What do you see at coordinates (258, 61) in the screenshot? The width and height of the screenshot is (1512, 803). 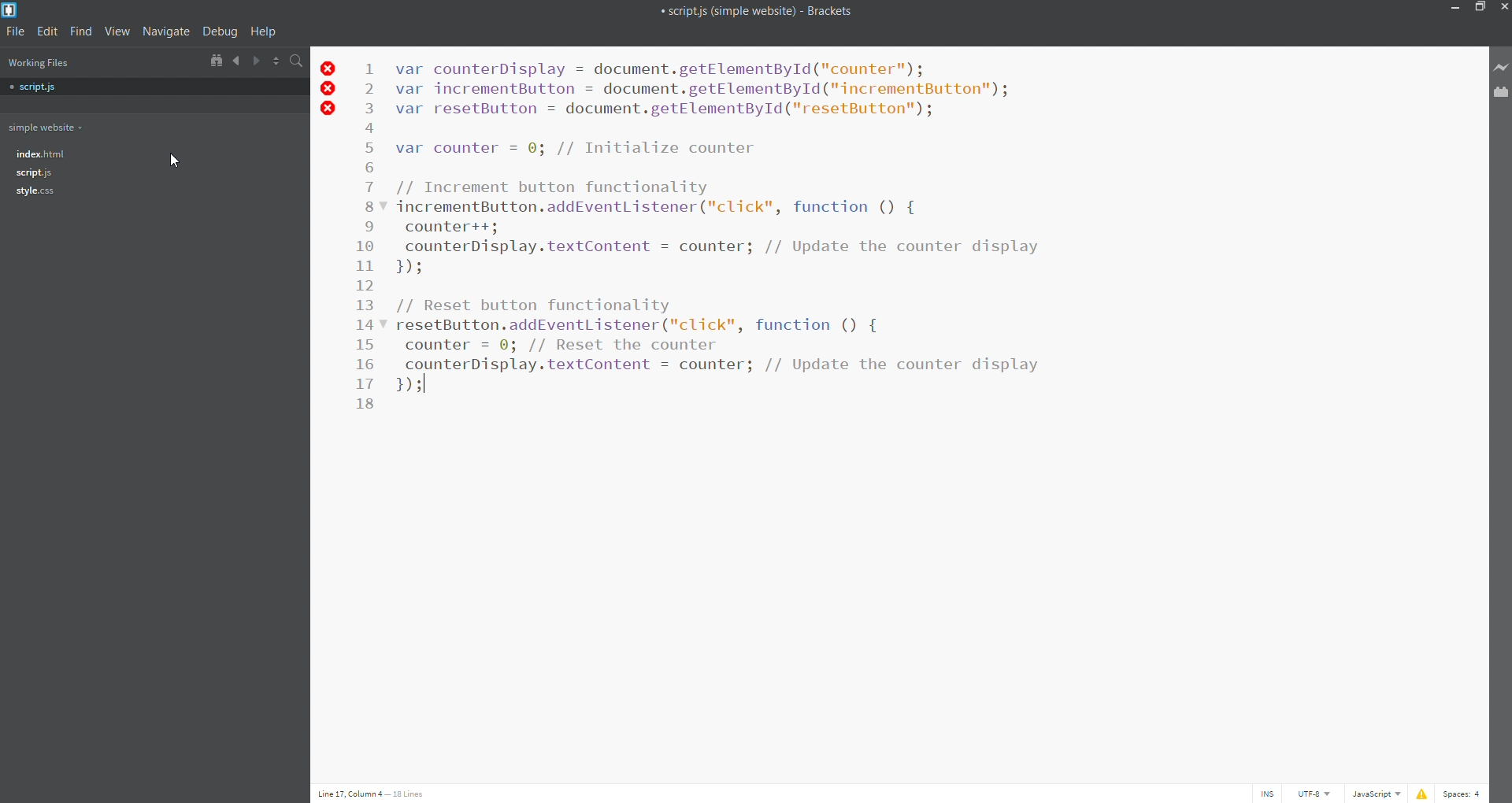 I see `navigate forward` at bounding box center [258, 61].